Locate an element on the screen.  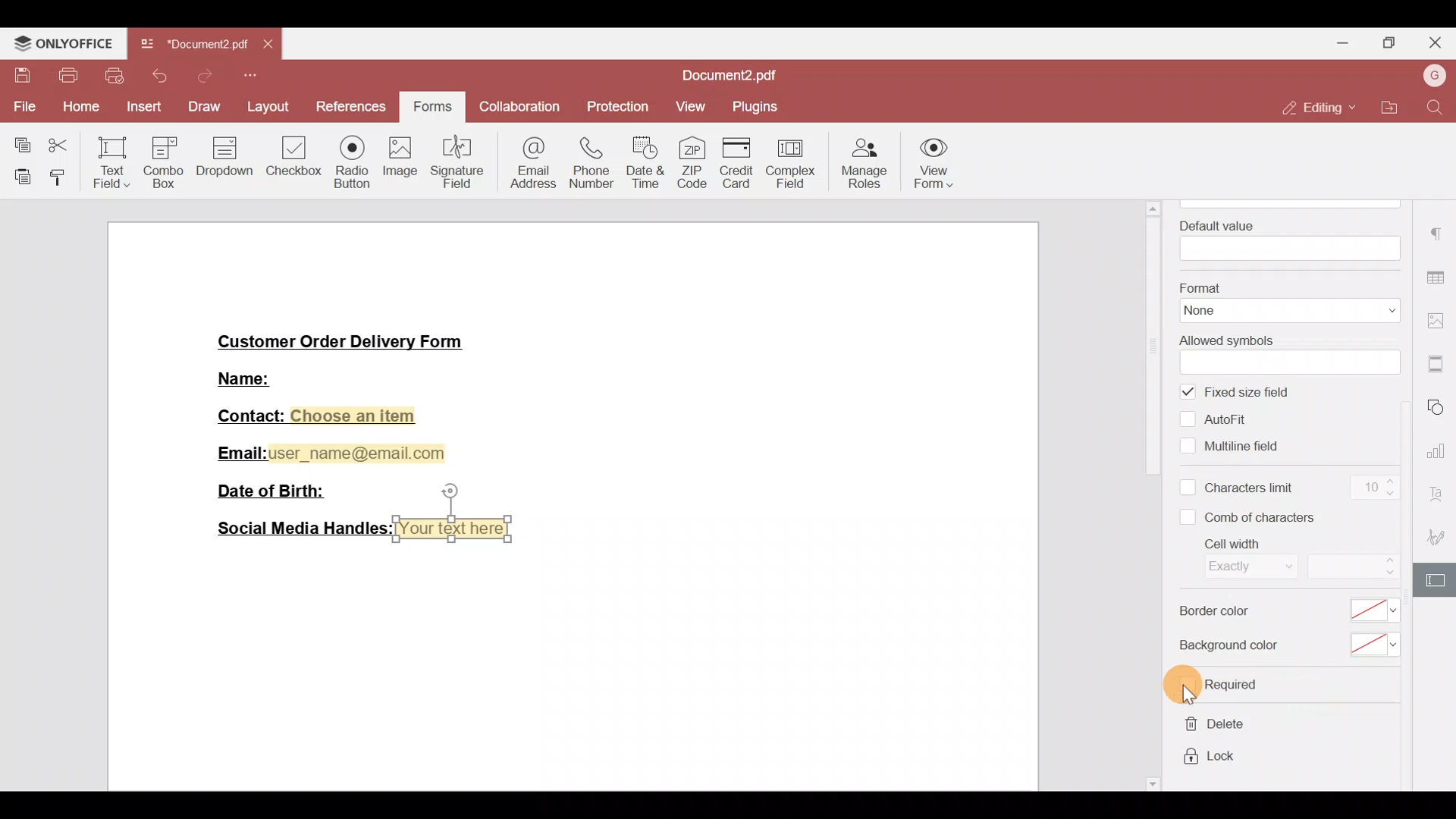
Contact: Choose an item is located at coordinates (315, 416).